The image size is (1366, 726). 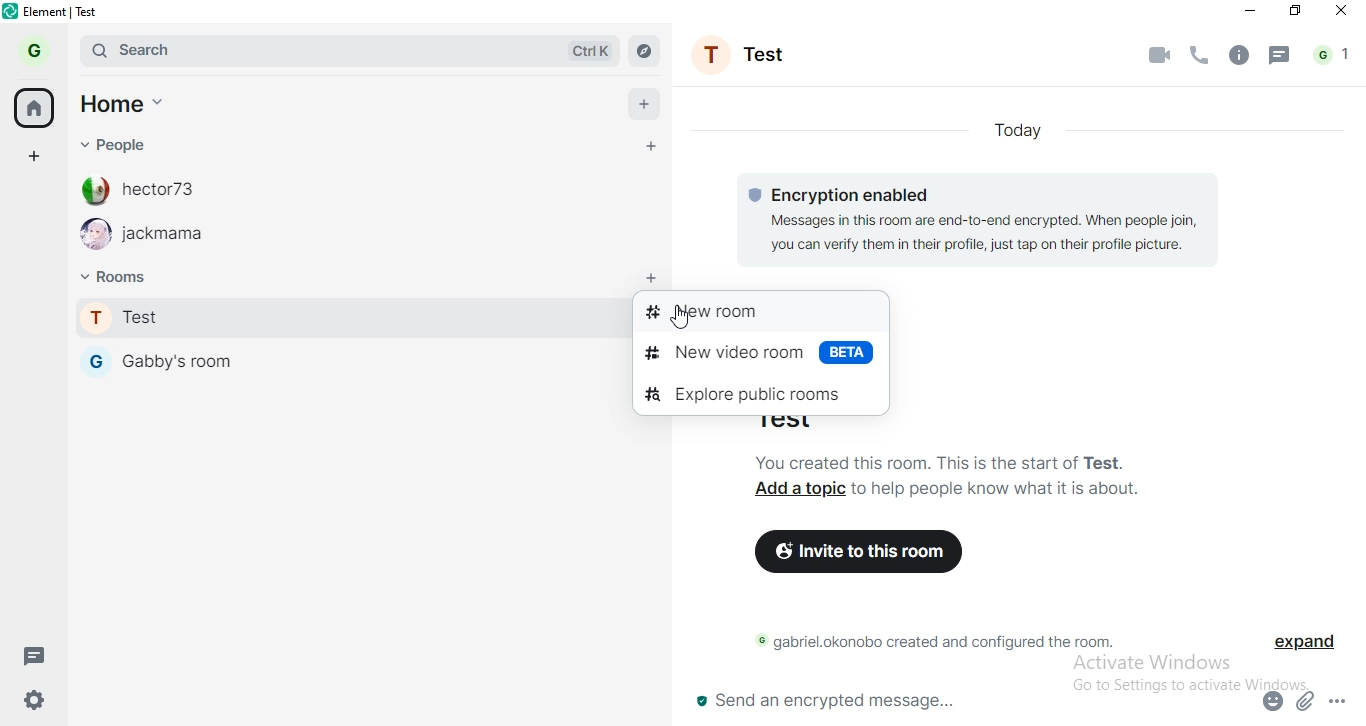 I want to click on send an encrypted message, so click(x=826, y=703).